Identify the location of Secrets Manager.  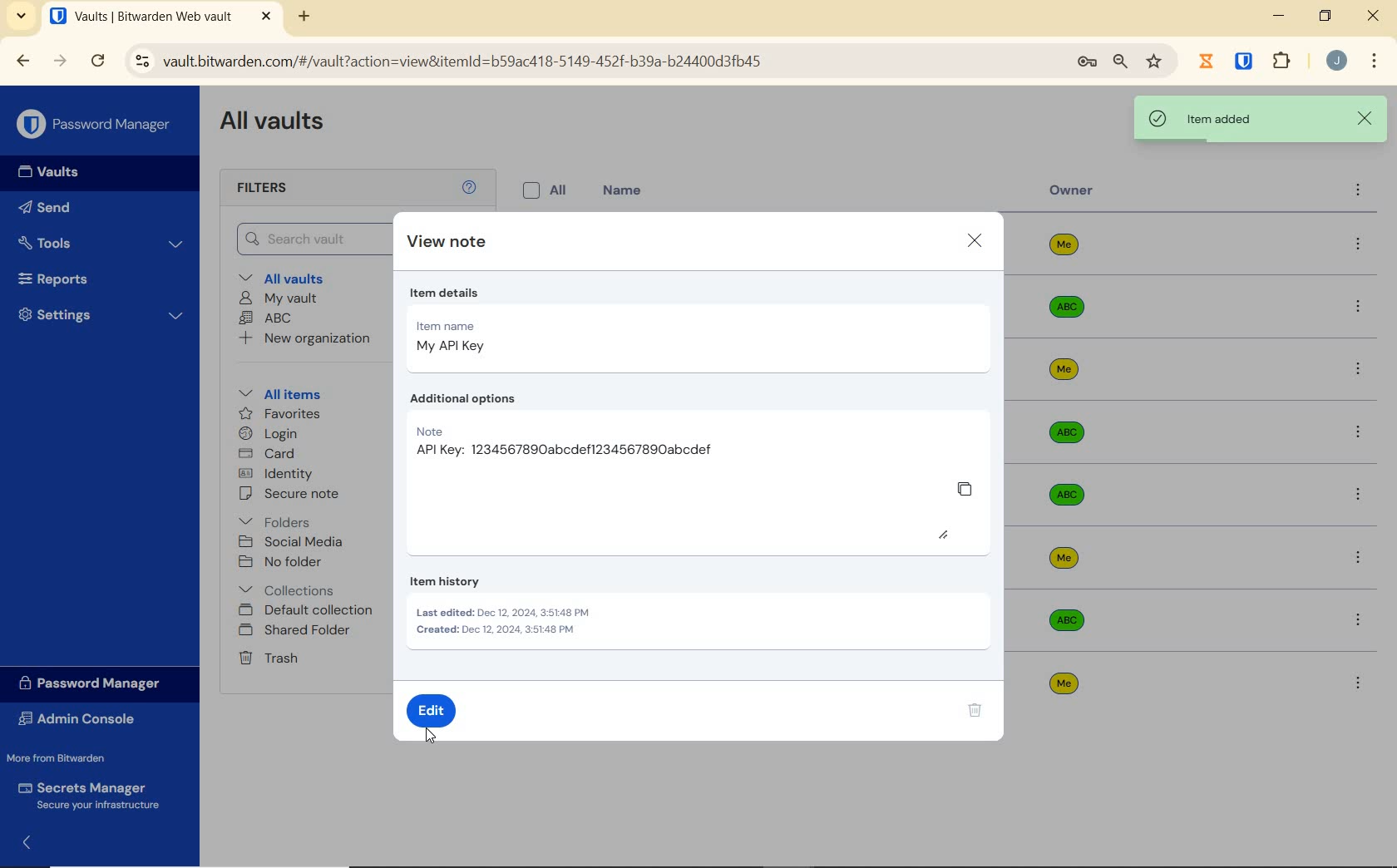
(93, 793).